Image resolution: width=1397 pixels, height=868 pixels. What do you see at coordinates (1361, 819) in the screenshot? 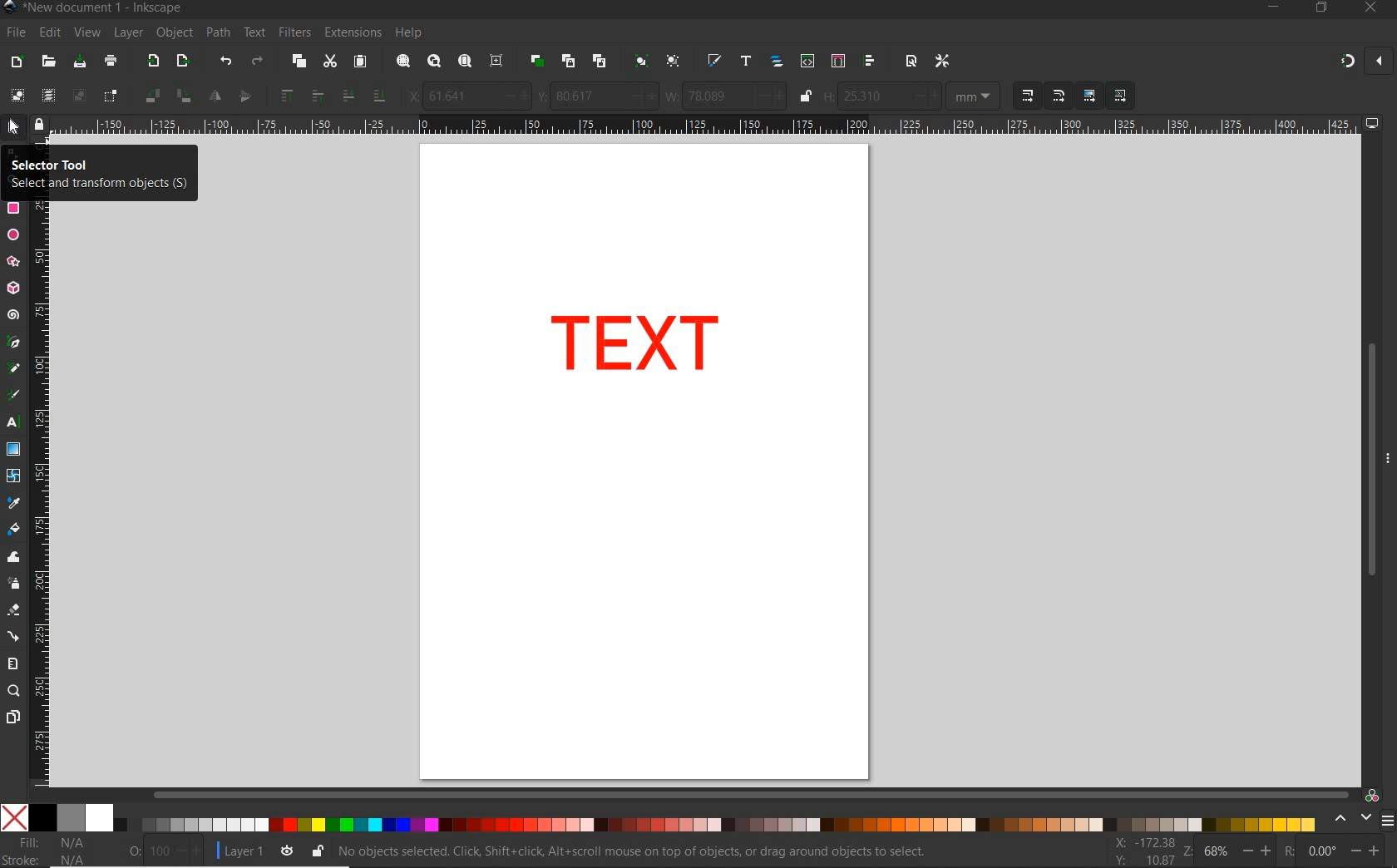
I see `select color palette` at bounding box center [1361, 819].